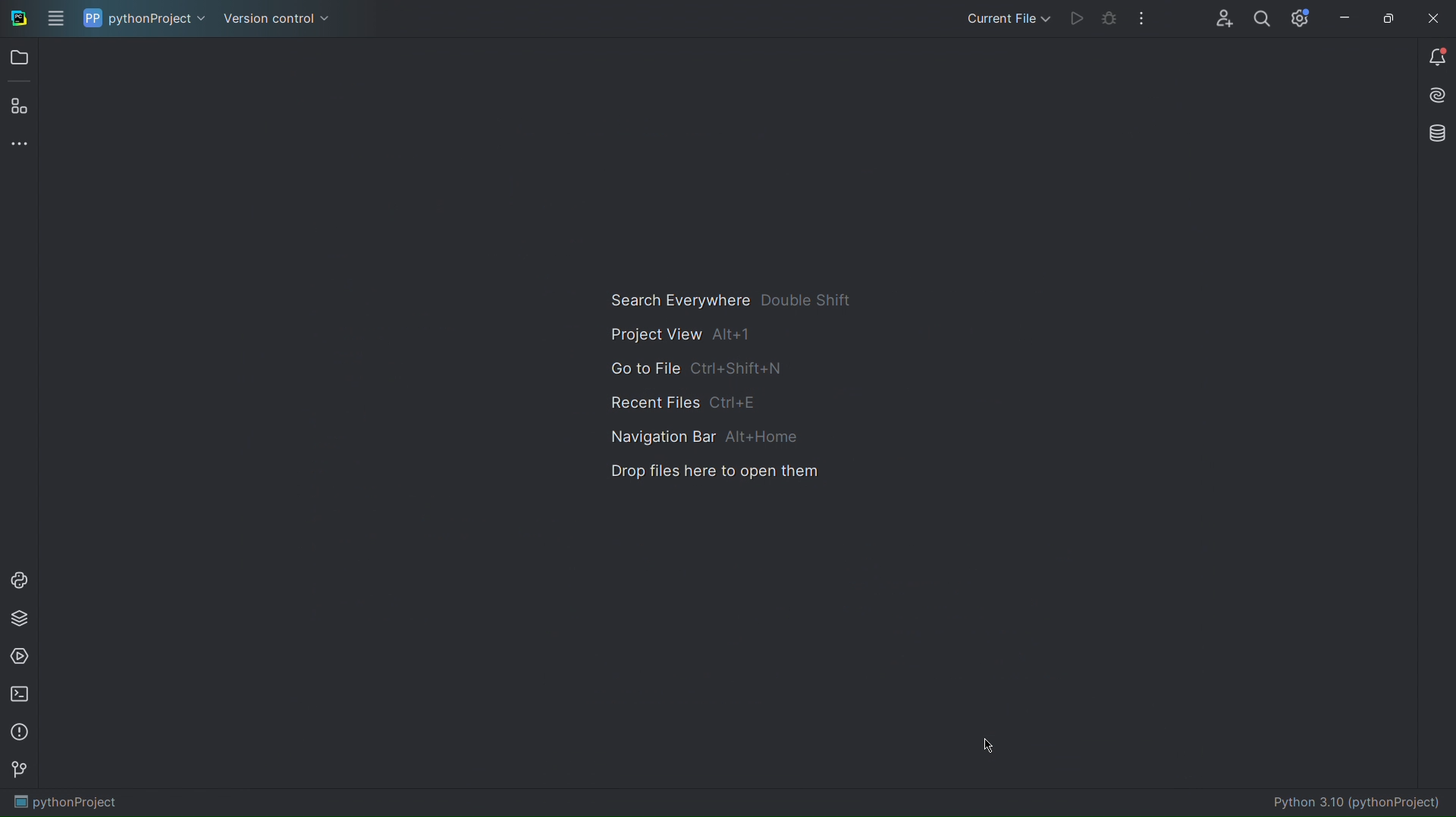 This screenshot has width=1456, height=817. I want to click on Settings, so click(1299, 17).